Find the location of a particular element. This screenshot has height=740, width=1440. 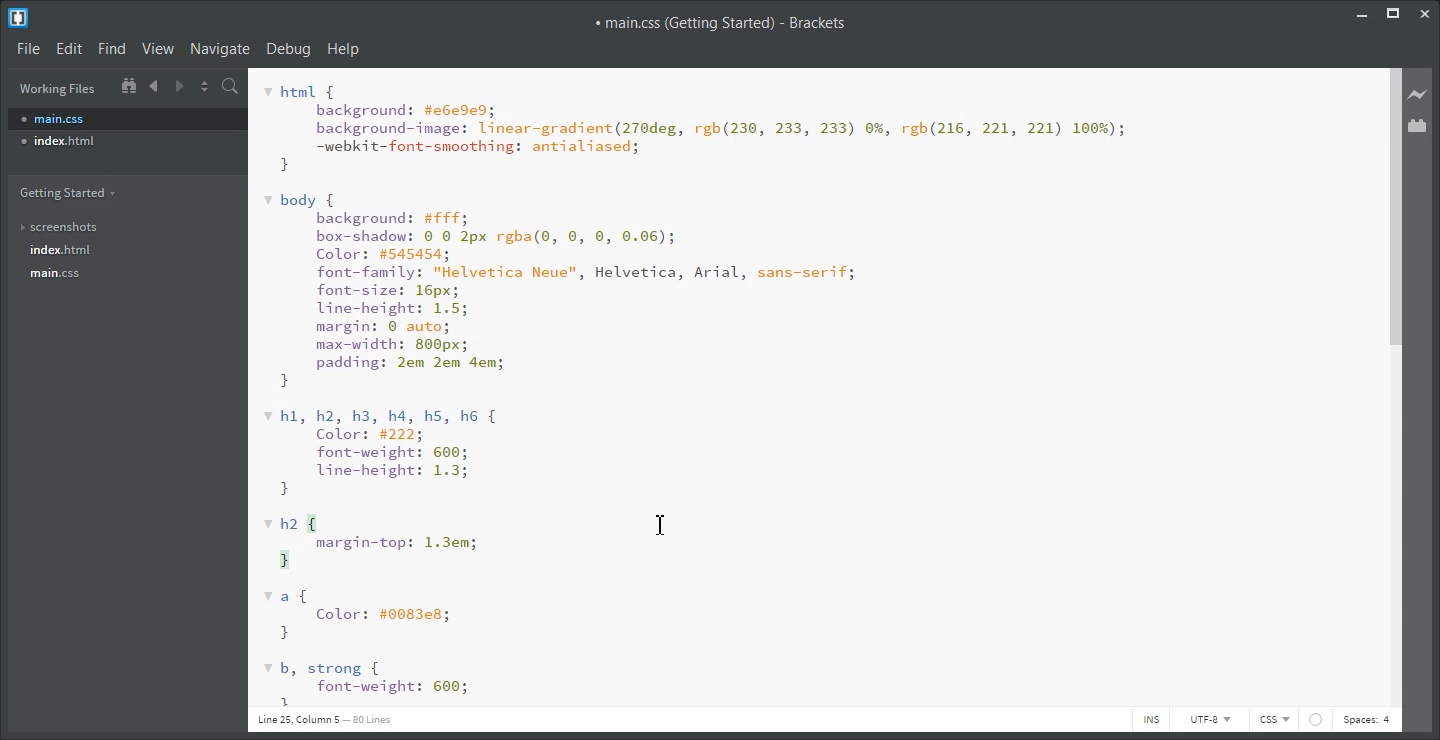

Navigate Backward is located at coordinates (156, 85).